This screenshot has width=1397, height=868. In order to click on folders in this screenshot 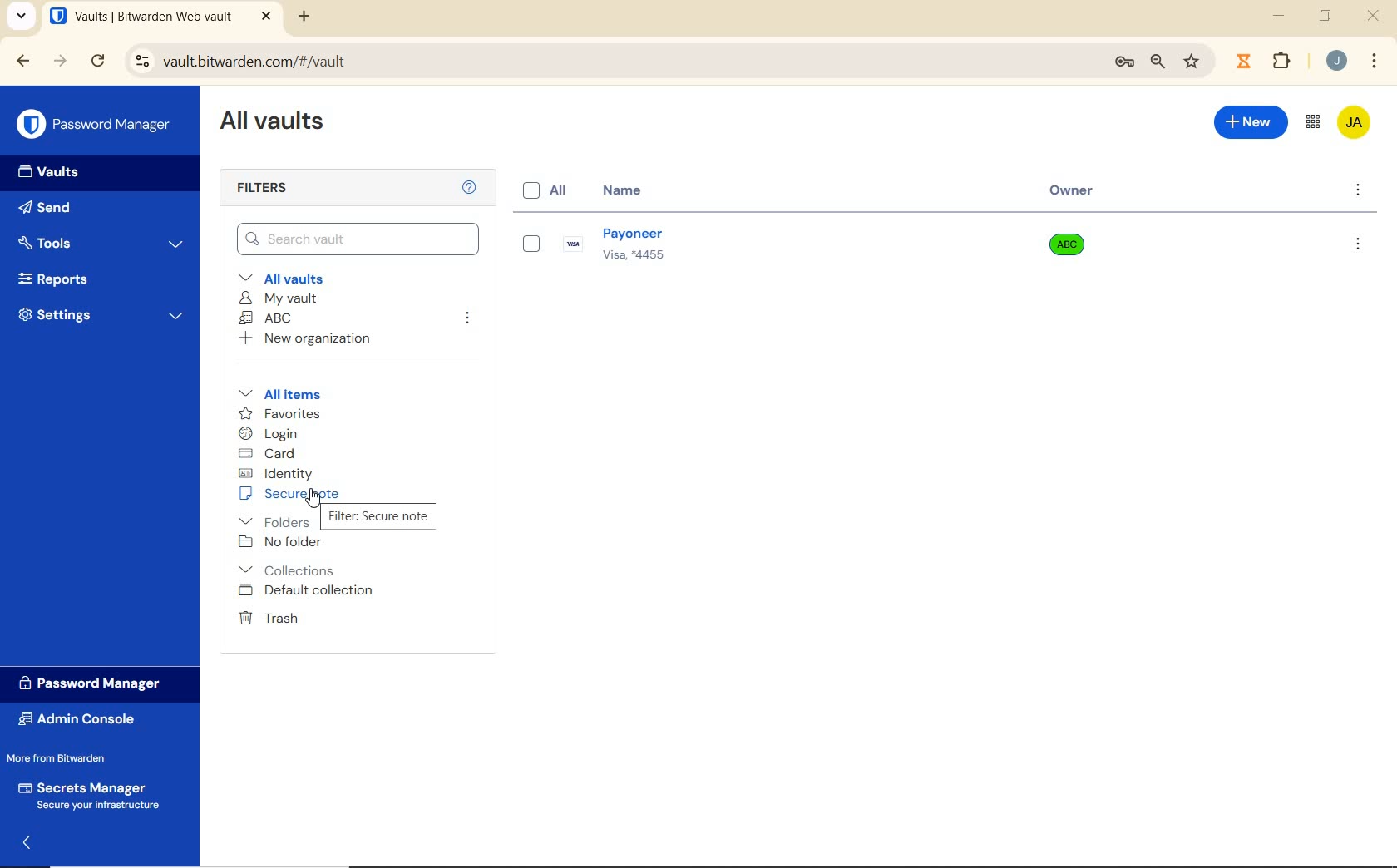, I will do `click(274, 520)`.